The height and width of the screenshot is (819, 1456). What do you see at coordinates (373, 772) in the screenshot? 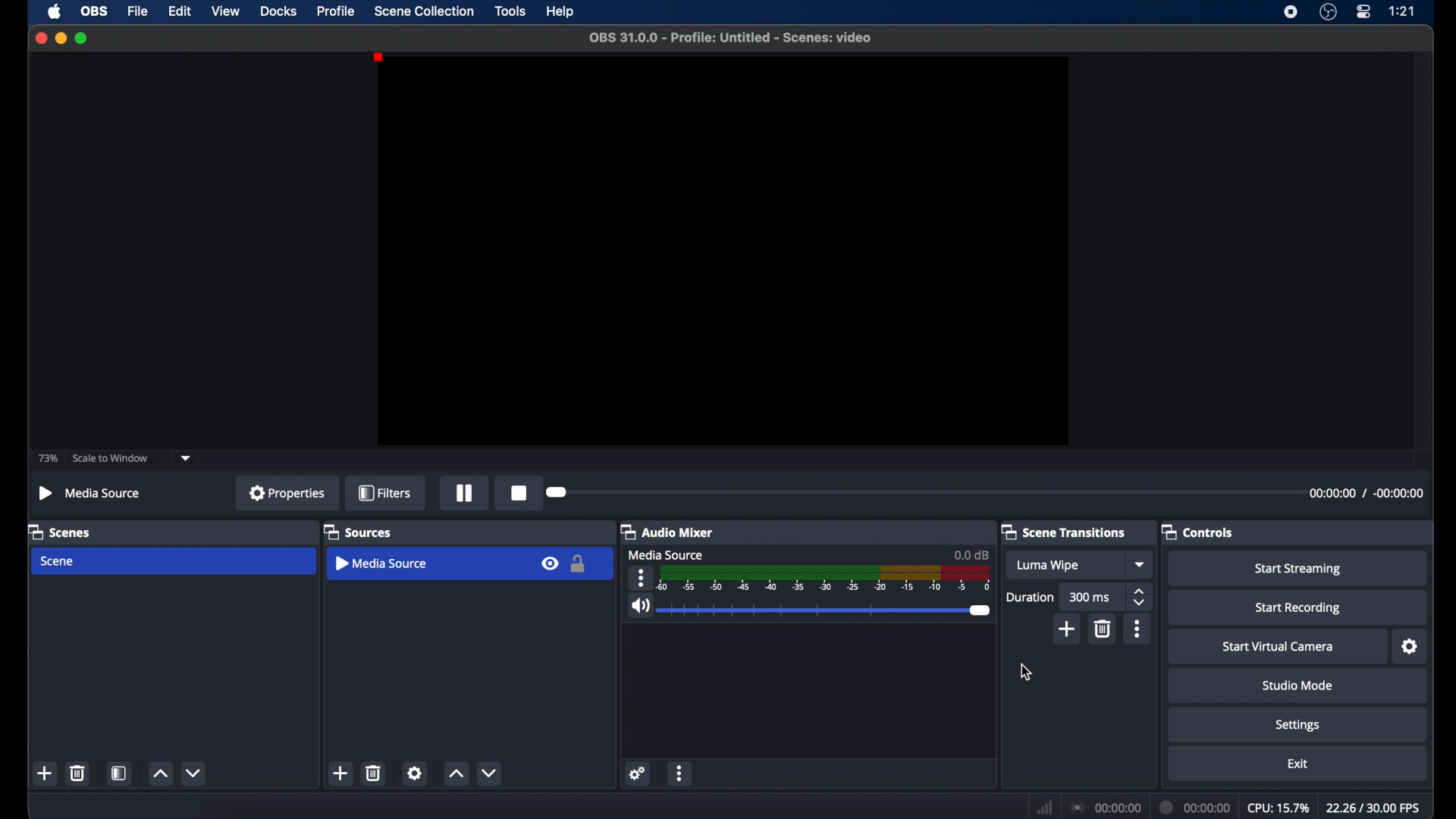
I see `delete` at bounding box center [373, 772].